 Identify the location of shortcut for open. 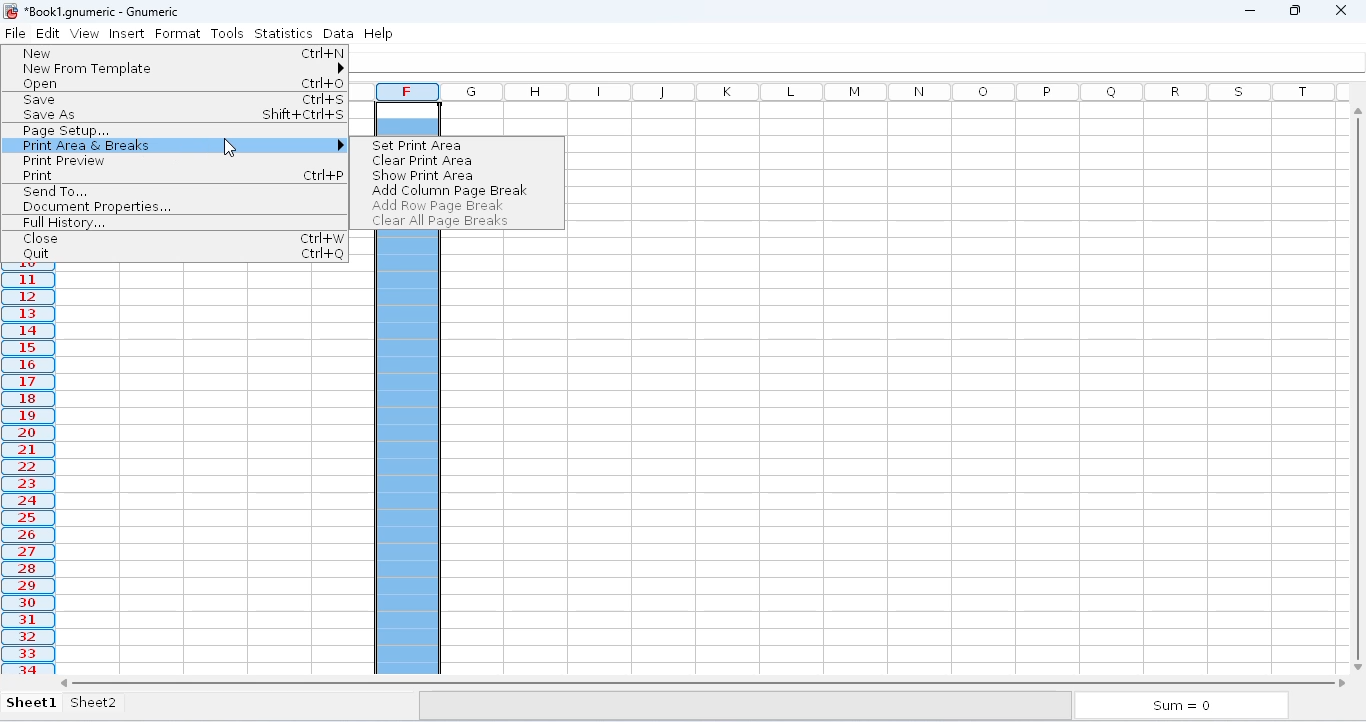
(323, 84).